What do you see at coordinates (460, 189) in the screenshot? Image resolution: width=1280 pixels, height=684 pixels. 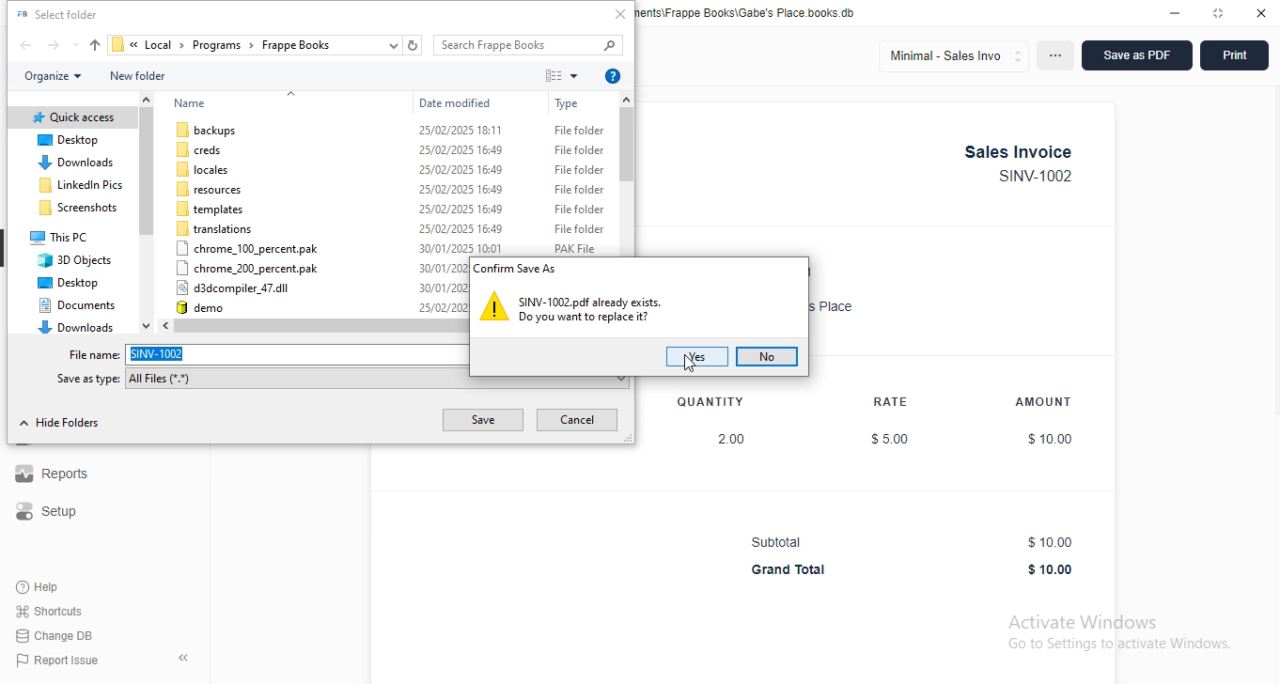 I see `25/02/2025 16:49` at bounding box center [460, 189].